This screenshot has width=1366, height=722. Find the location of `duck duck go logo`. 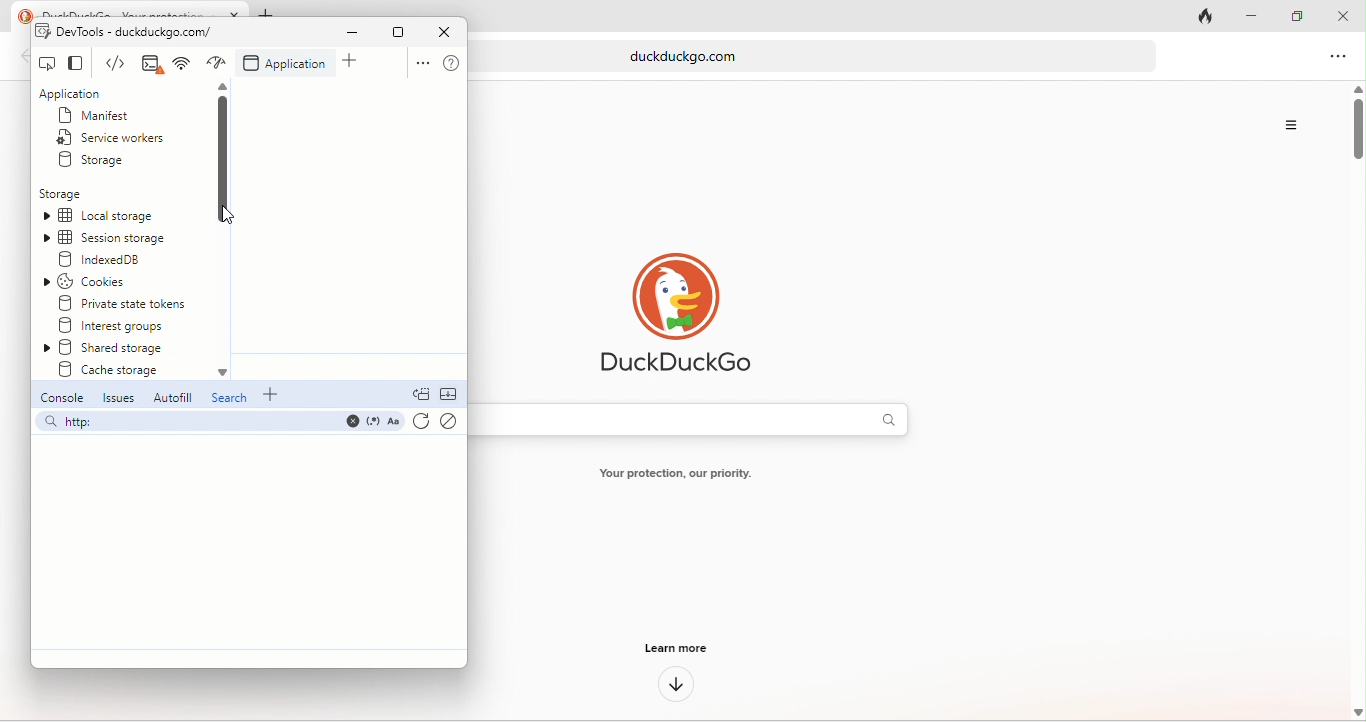

duck duck go logo is located at coordinates (674, 314).